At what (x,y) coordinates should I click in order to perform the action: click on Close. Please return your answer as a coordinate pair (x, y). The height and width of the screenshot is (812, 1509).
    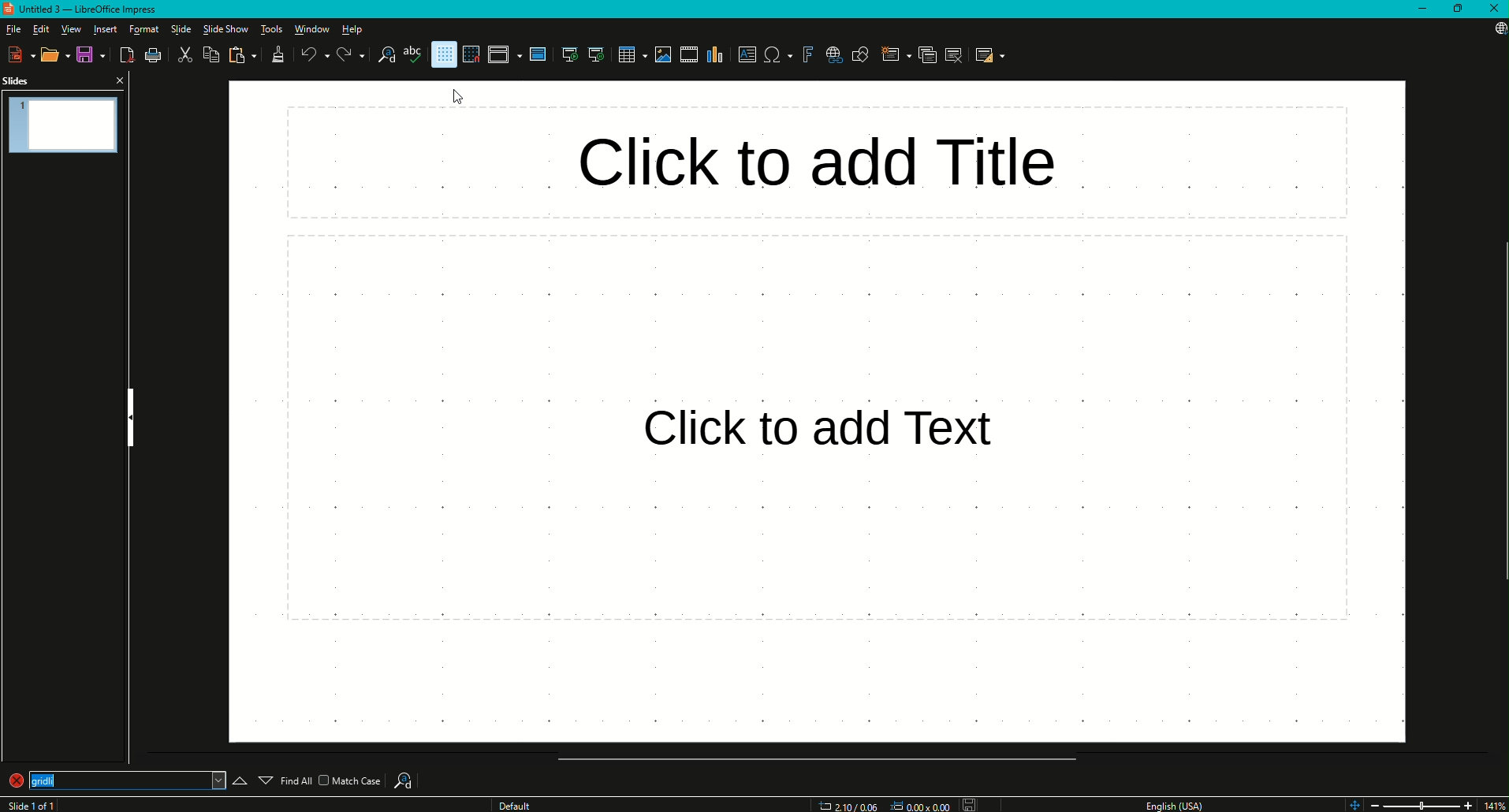
    Looking at the image, I should click on (1494, 10).